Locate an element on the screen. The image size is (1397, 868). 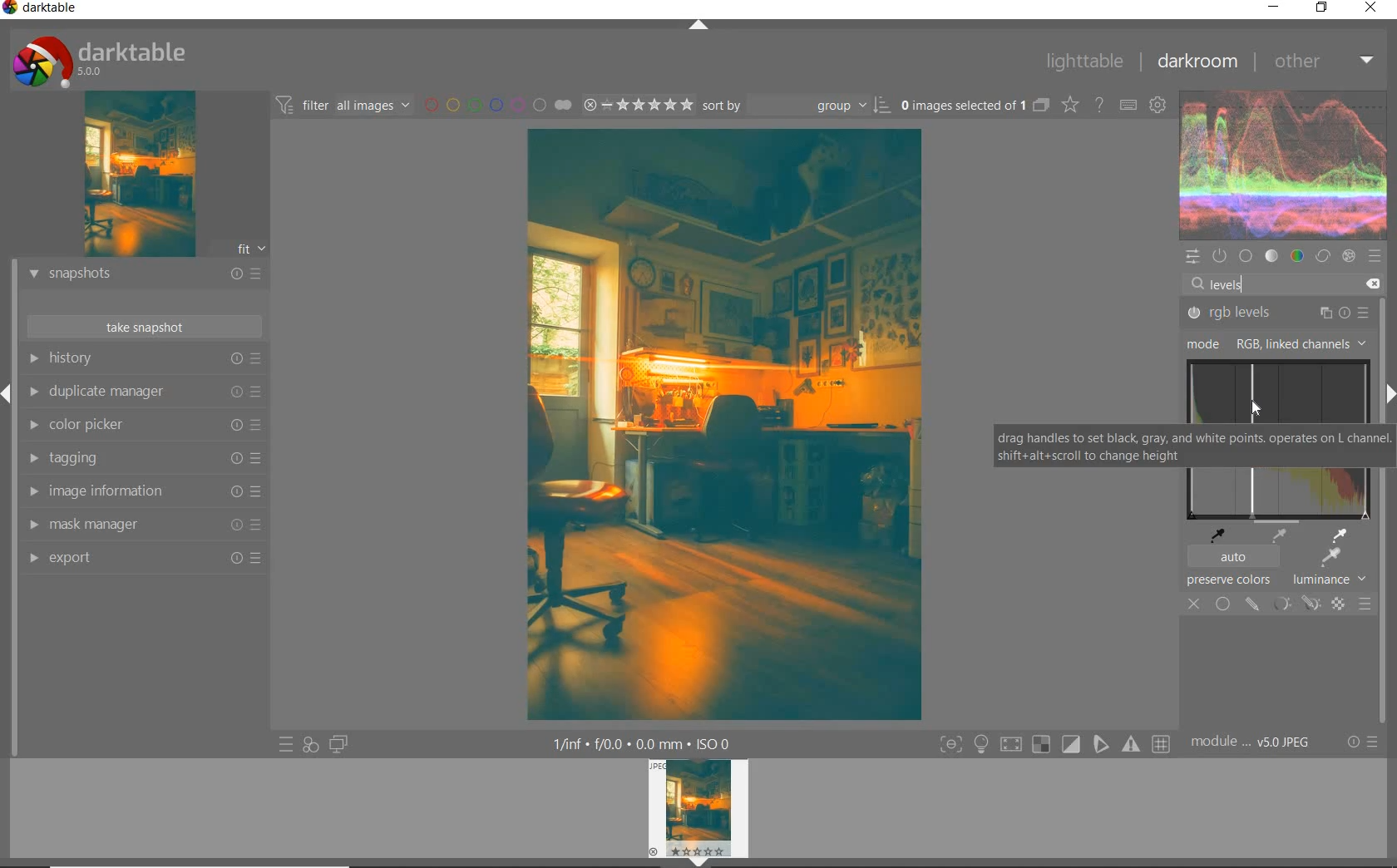
quick access panel is located at coordinates (1191, 257).